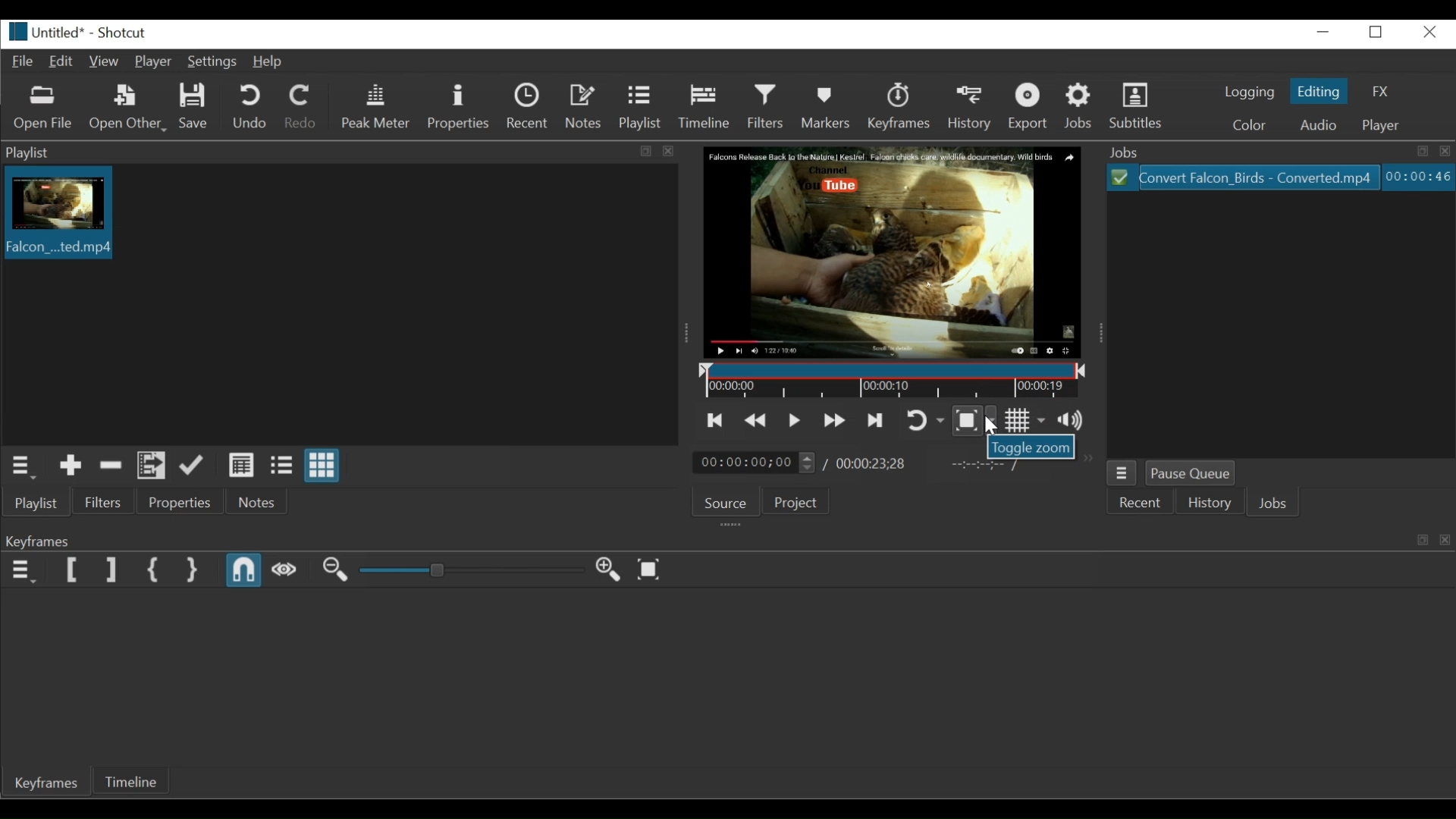 The image size is (1456, 819). What do you see at coordinates (213, 62) in the screenshot?
I see `Settings` at bounding box center [213, 62].